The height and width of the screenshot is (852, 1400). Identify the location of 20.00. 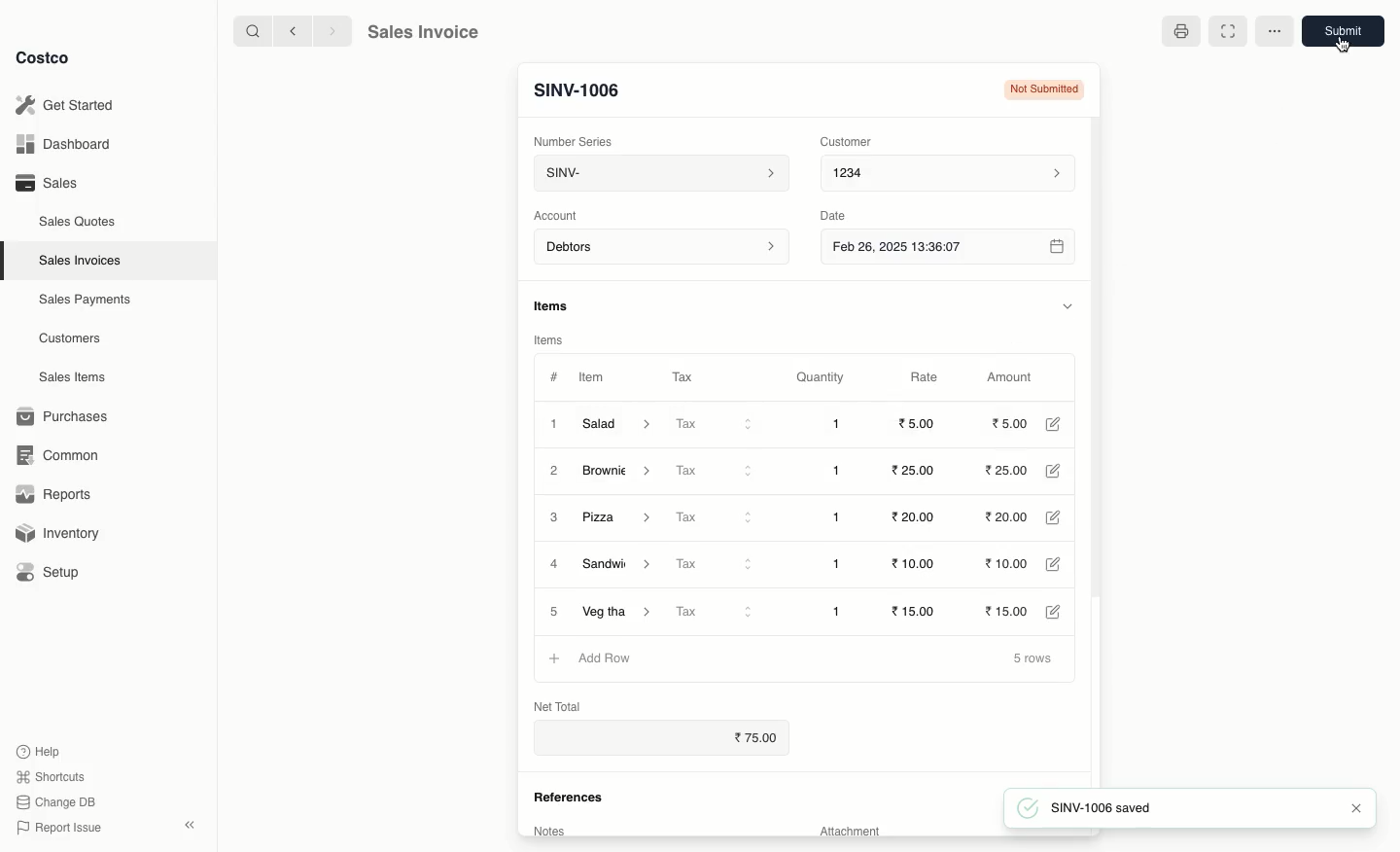
(905, 424).